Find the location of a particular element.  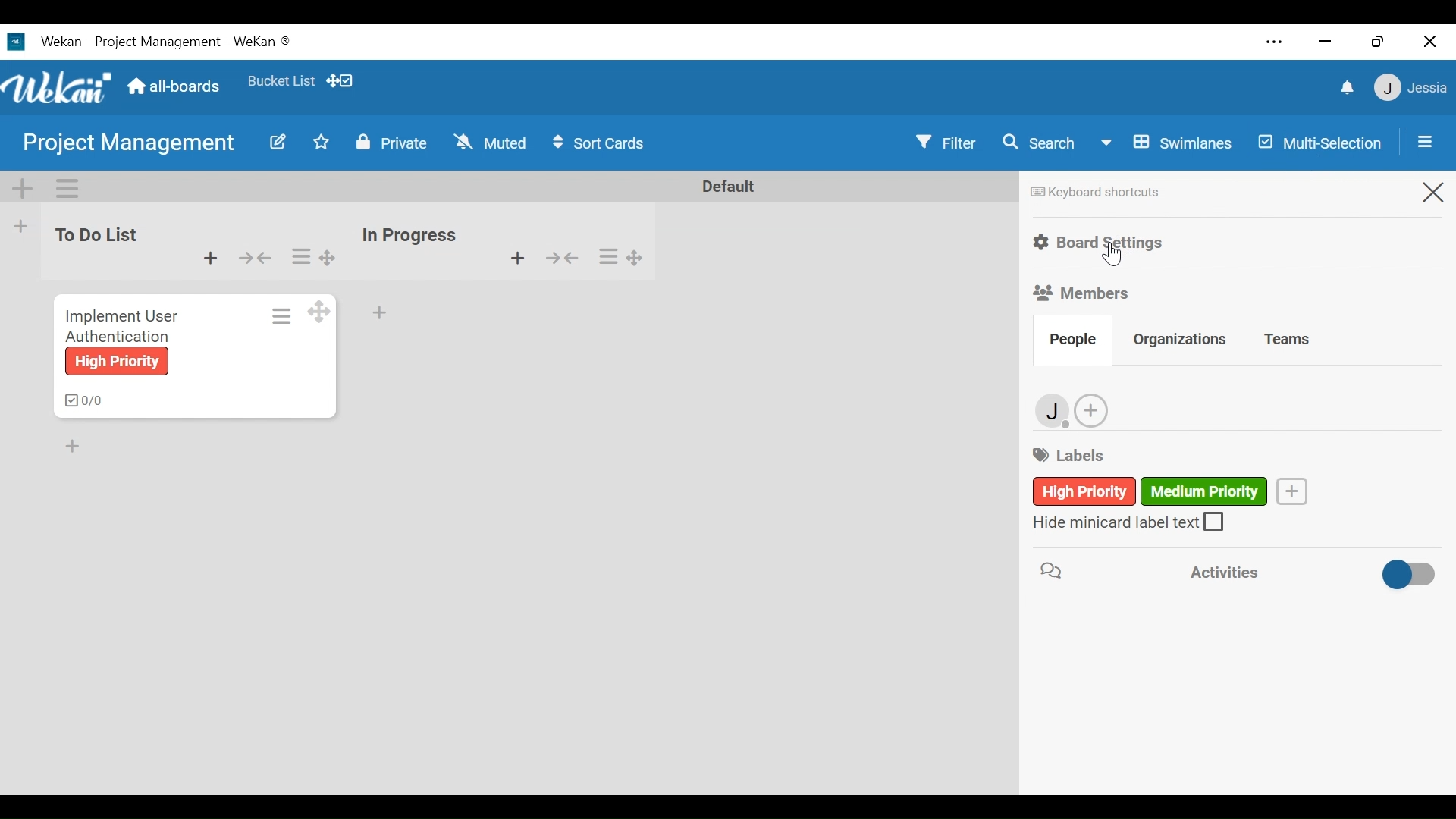

Organization is located at coordinates (1180, 340).